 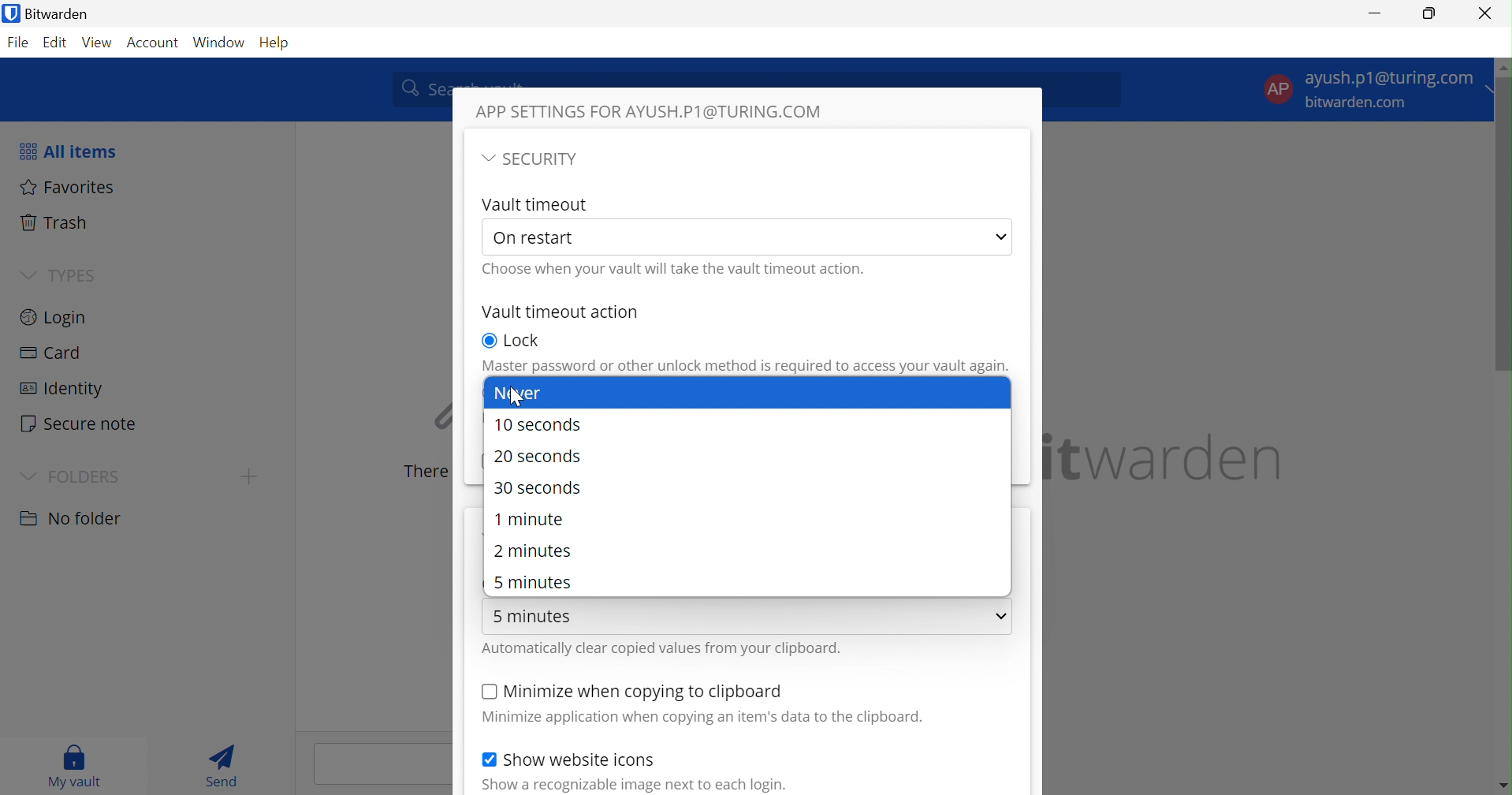 What do you see at coordinates (1002, 615) in the screenshot?
I see `Drop Down` at bounding box center [1002, 615].